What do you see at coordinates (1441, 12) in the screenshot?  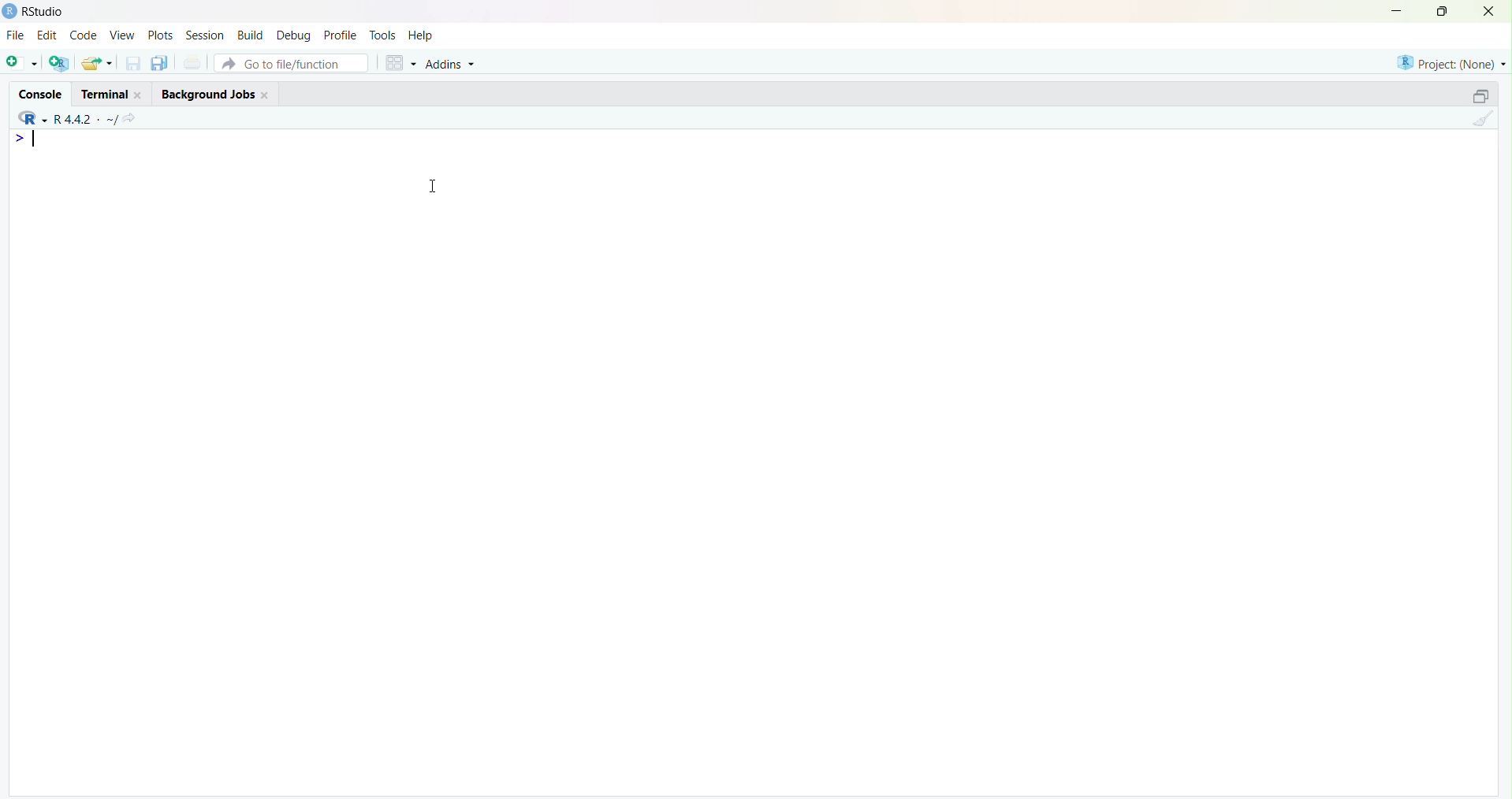 I see `Maximize` at bounding box center [1441, 12].